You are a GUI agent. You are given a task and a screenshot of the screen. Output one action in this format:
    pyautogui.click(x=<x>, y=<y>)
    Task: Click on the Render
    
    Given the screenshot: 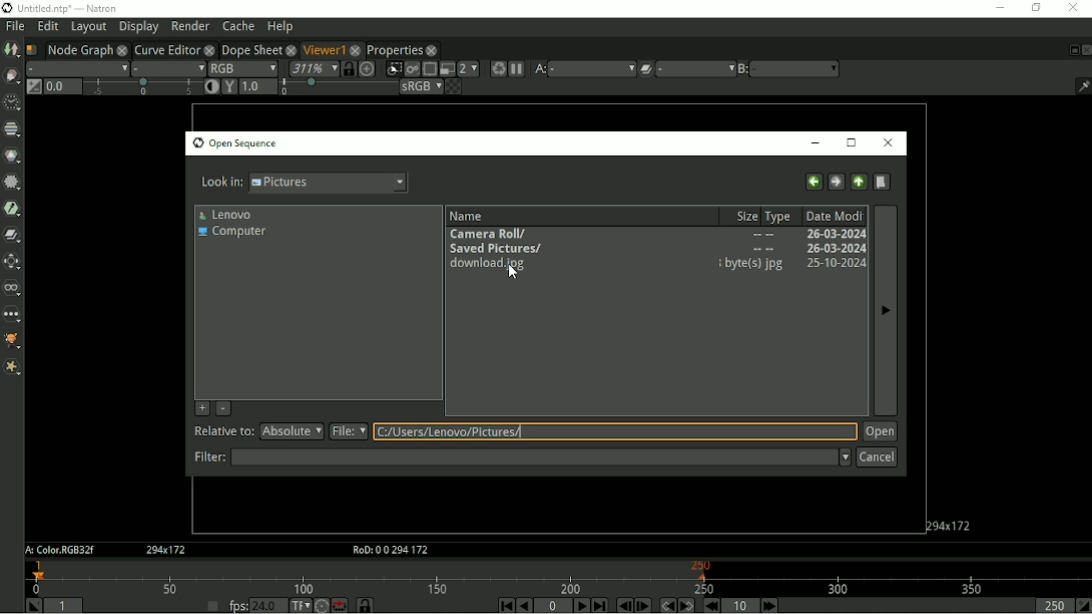 What is the action you would take?
    pyautogui.click(x=190, y=26)
    